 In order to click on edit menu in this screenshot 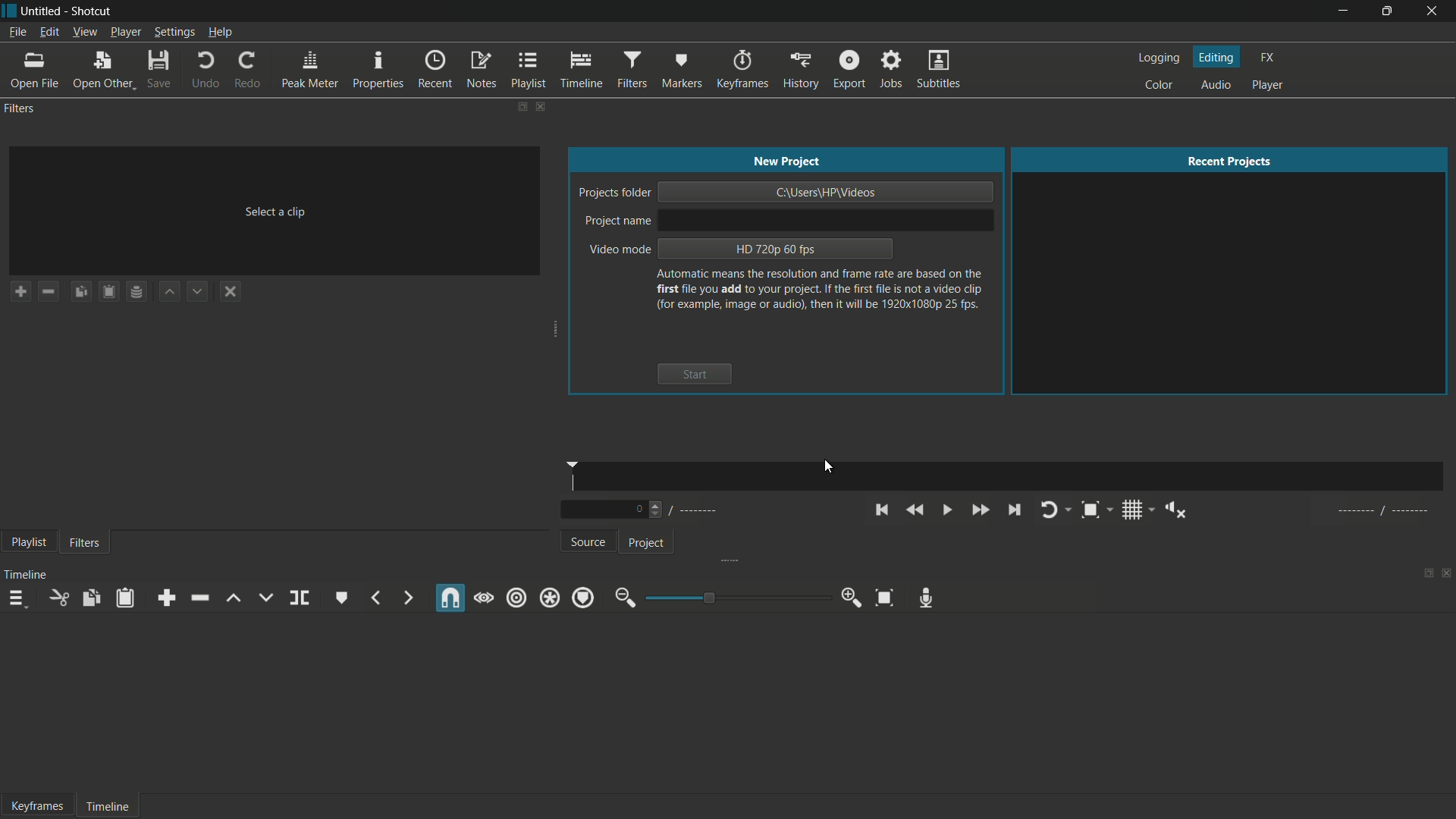, I will do `click(48, 32)`.